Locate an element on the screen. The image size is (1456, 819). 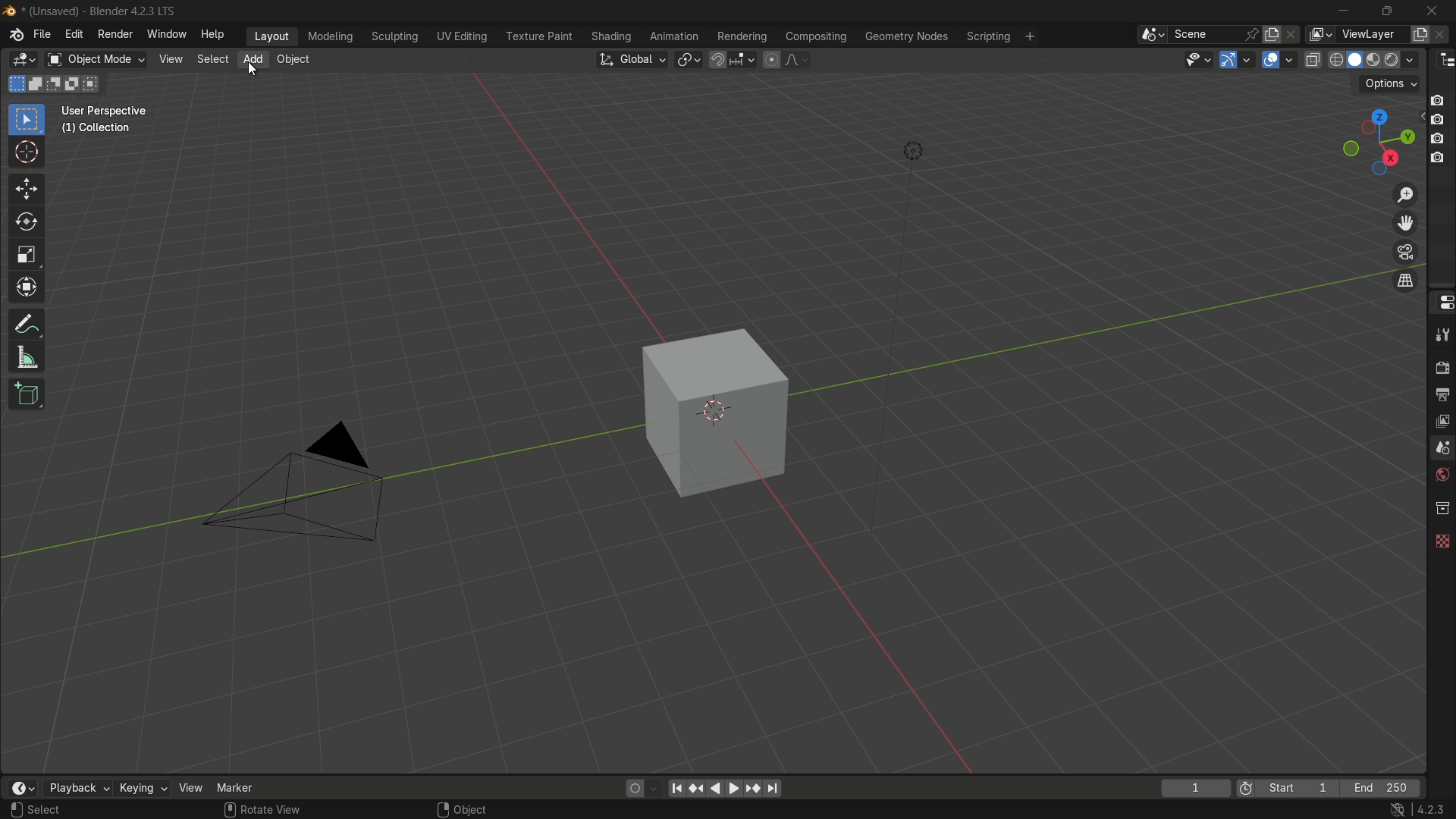
view is located at coordinates (171, 59).